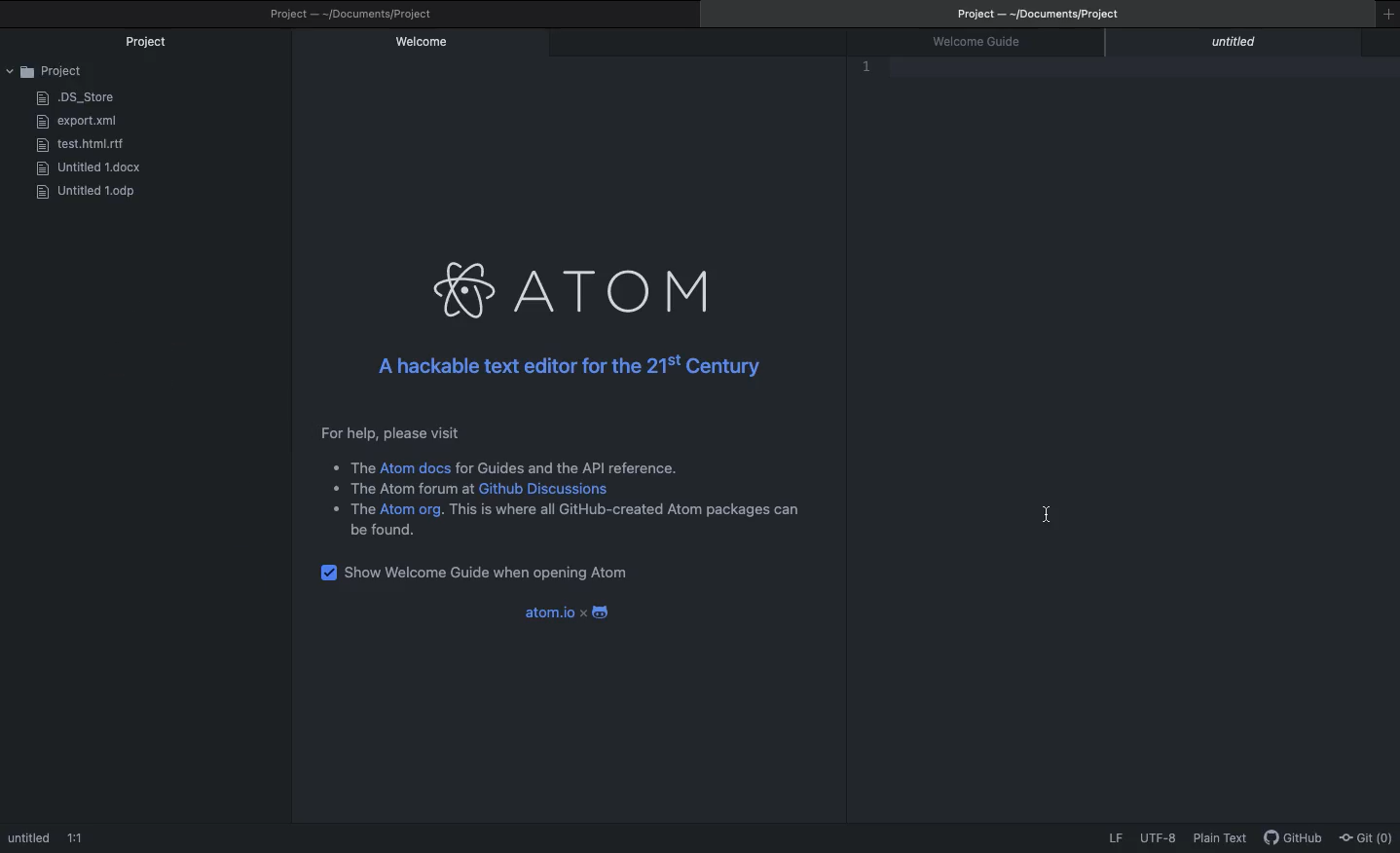 The width and height of the screenshot is (1400, 853). What do you see at coordinates (1224, 839) in the screenshot?
I see `Plain text` at bounding box center [1224, 839].